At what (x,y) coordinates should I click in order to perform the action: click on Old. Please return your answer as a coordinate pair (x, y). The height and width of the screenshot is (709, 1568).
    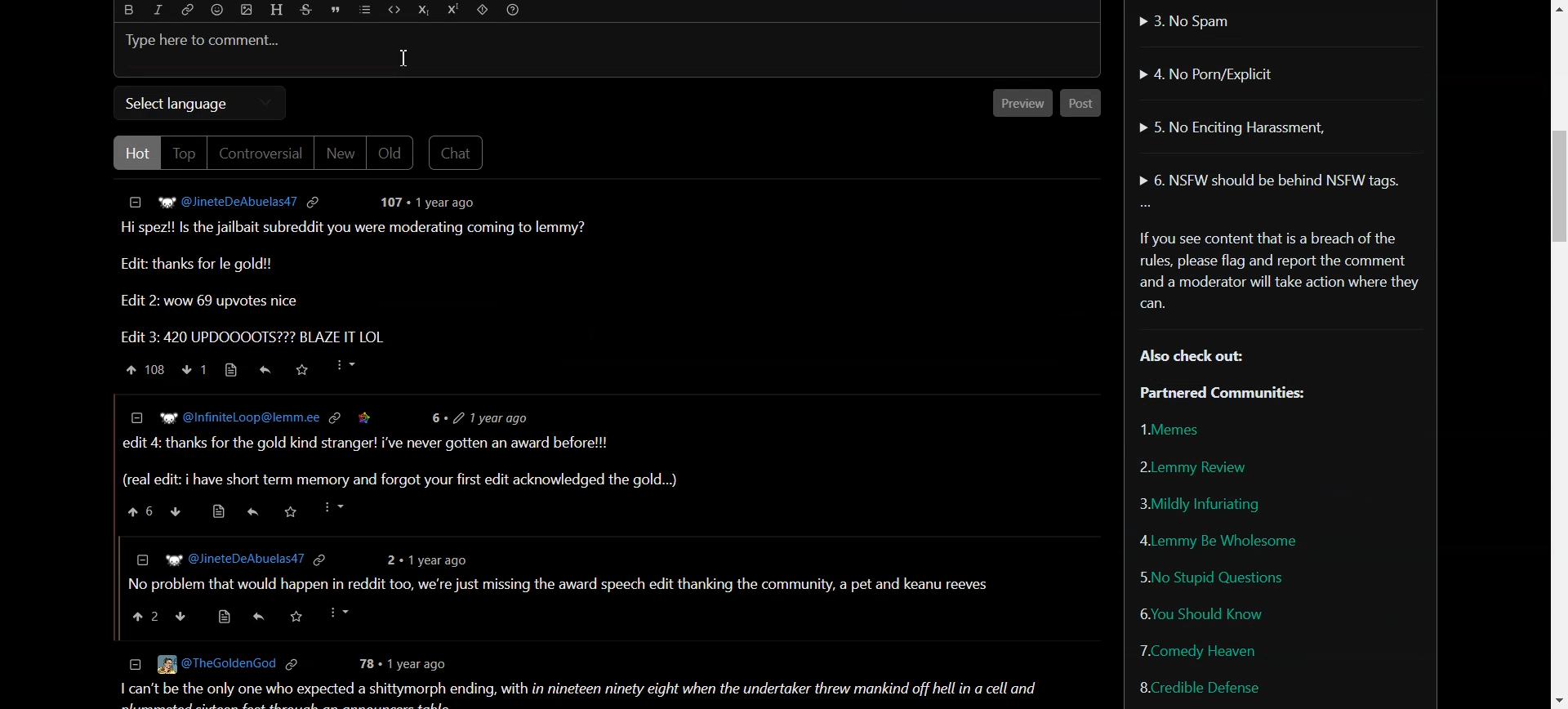
    Looking at the image, I should click on (390, 154).